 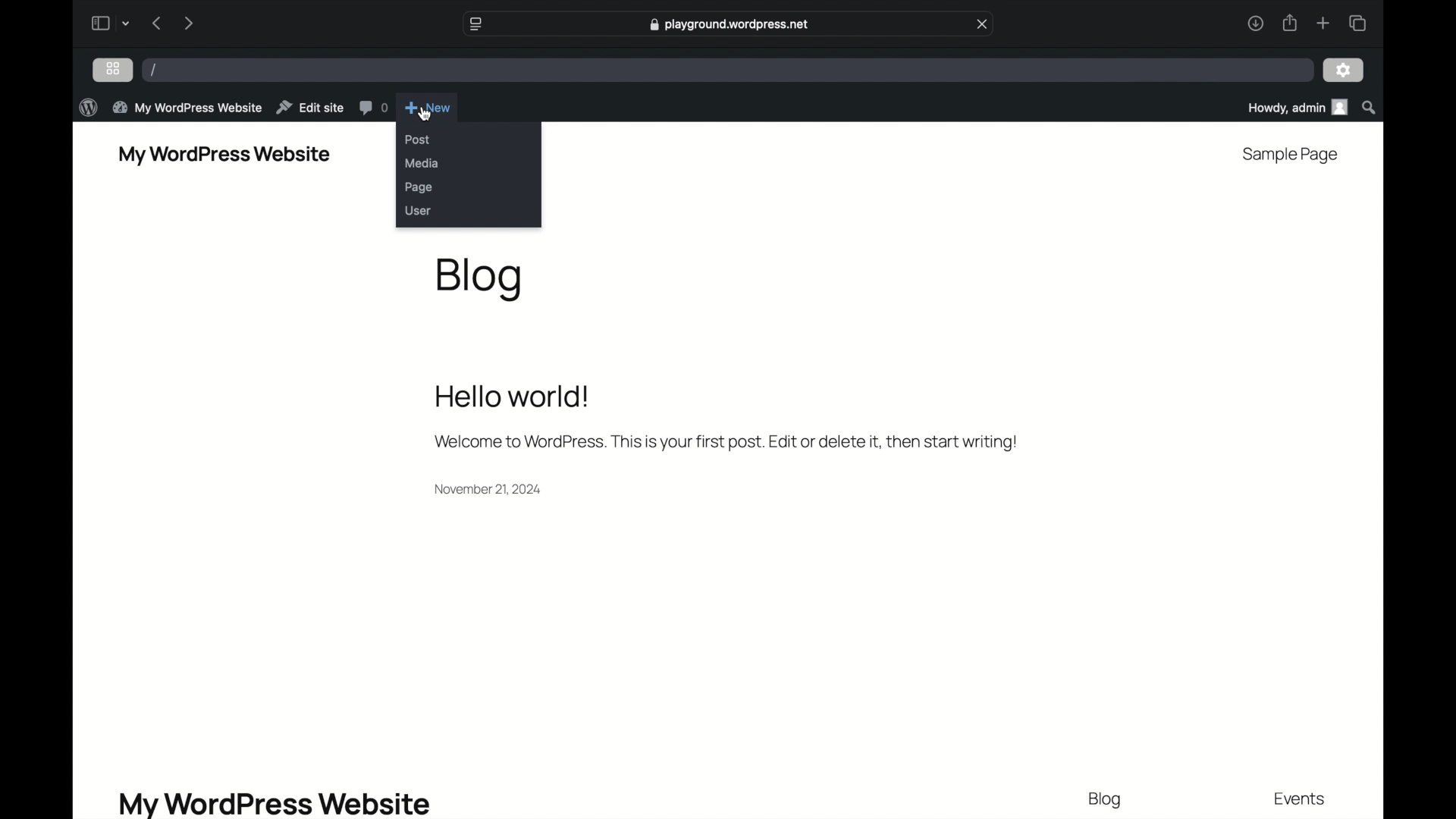 I want to click on grid view, so click(x=113, y=69).